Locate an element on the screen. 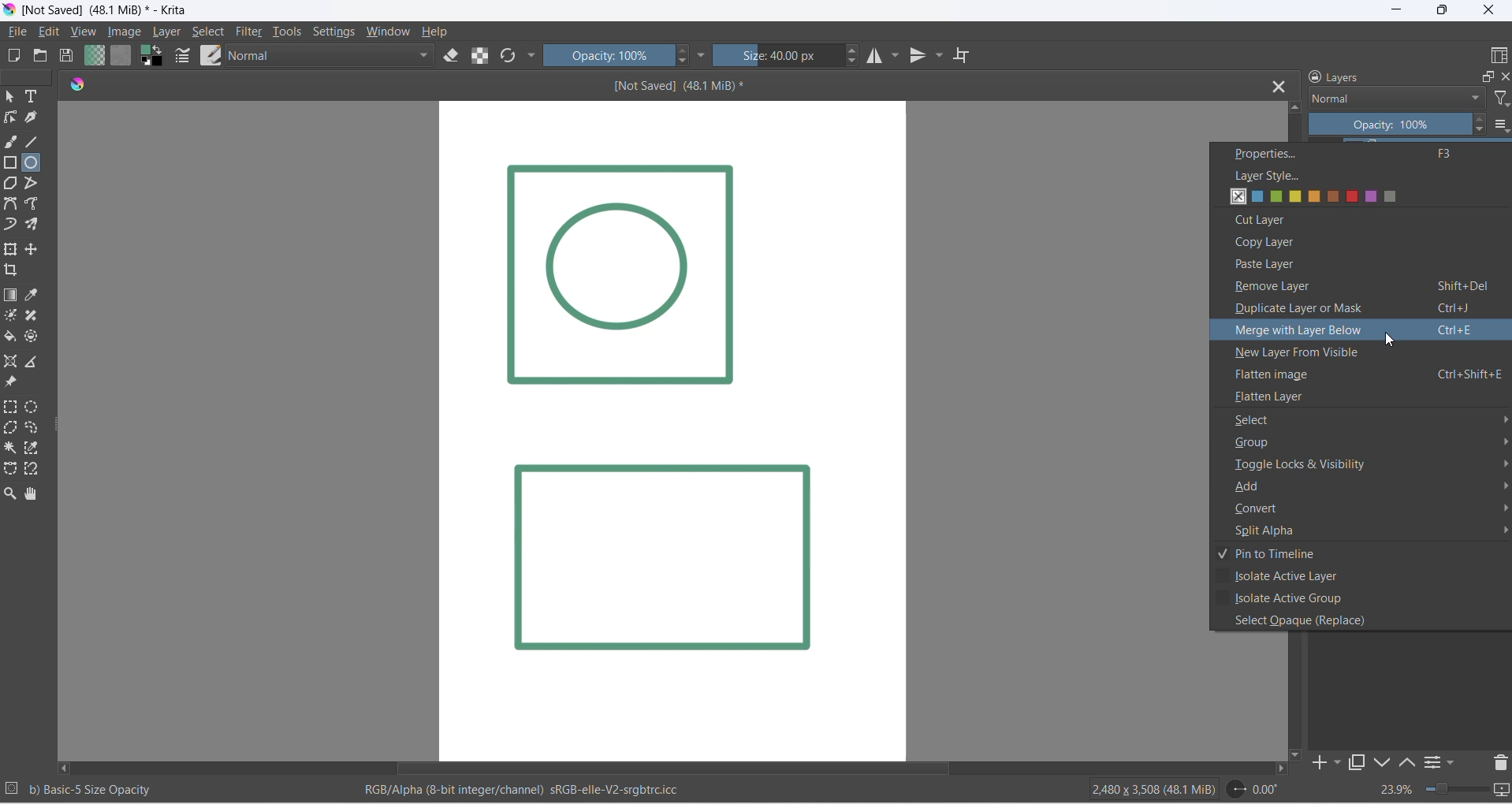 This screenshot has width=1512, height=804. size is located at coordinates (779, 54).